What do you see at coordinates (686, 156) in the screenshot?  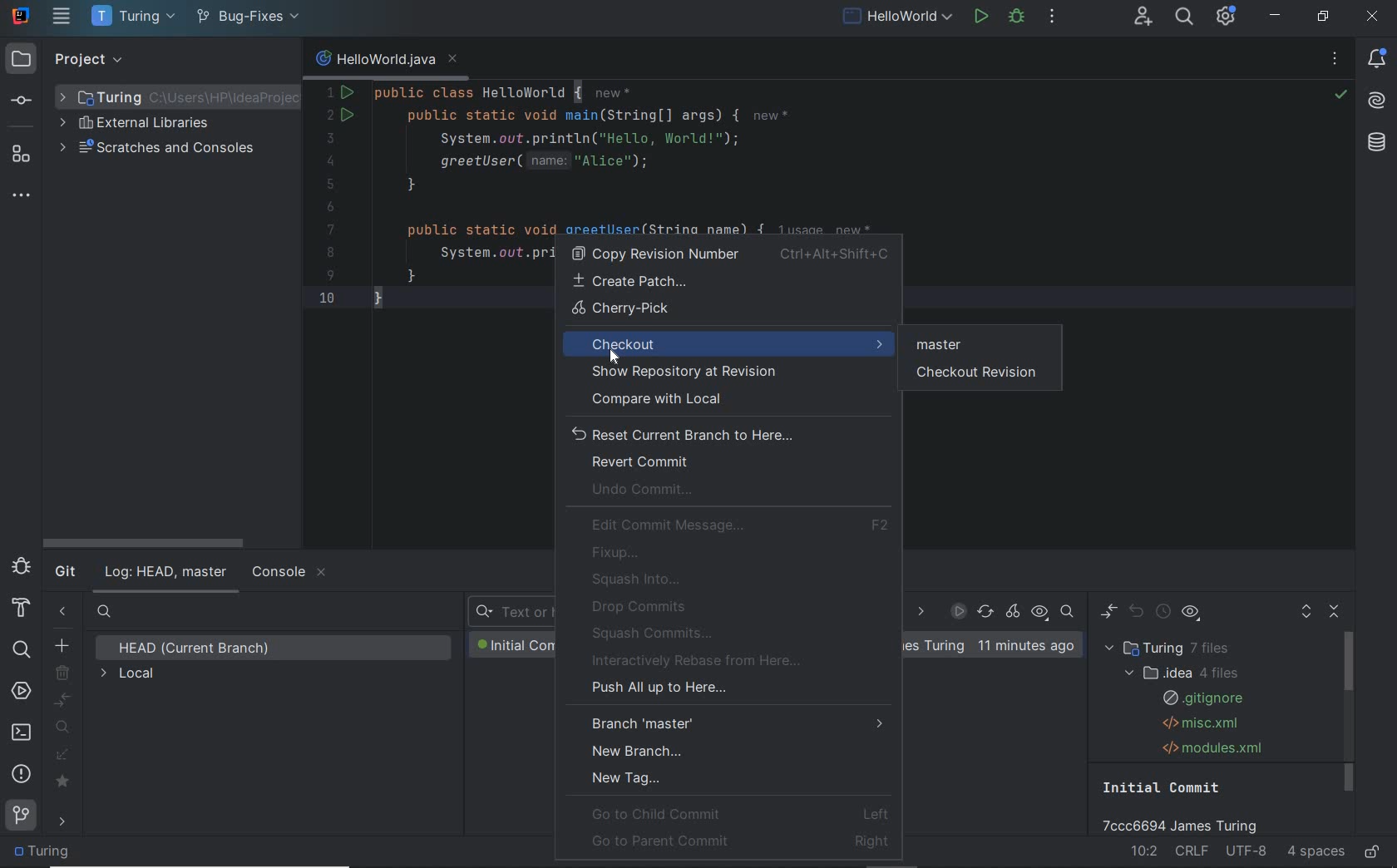 I see `code` at bounding box center [686, 156].